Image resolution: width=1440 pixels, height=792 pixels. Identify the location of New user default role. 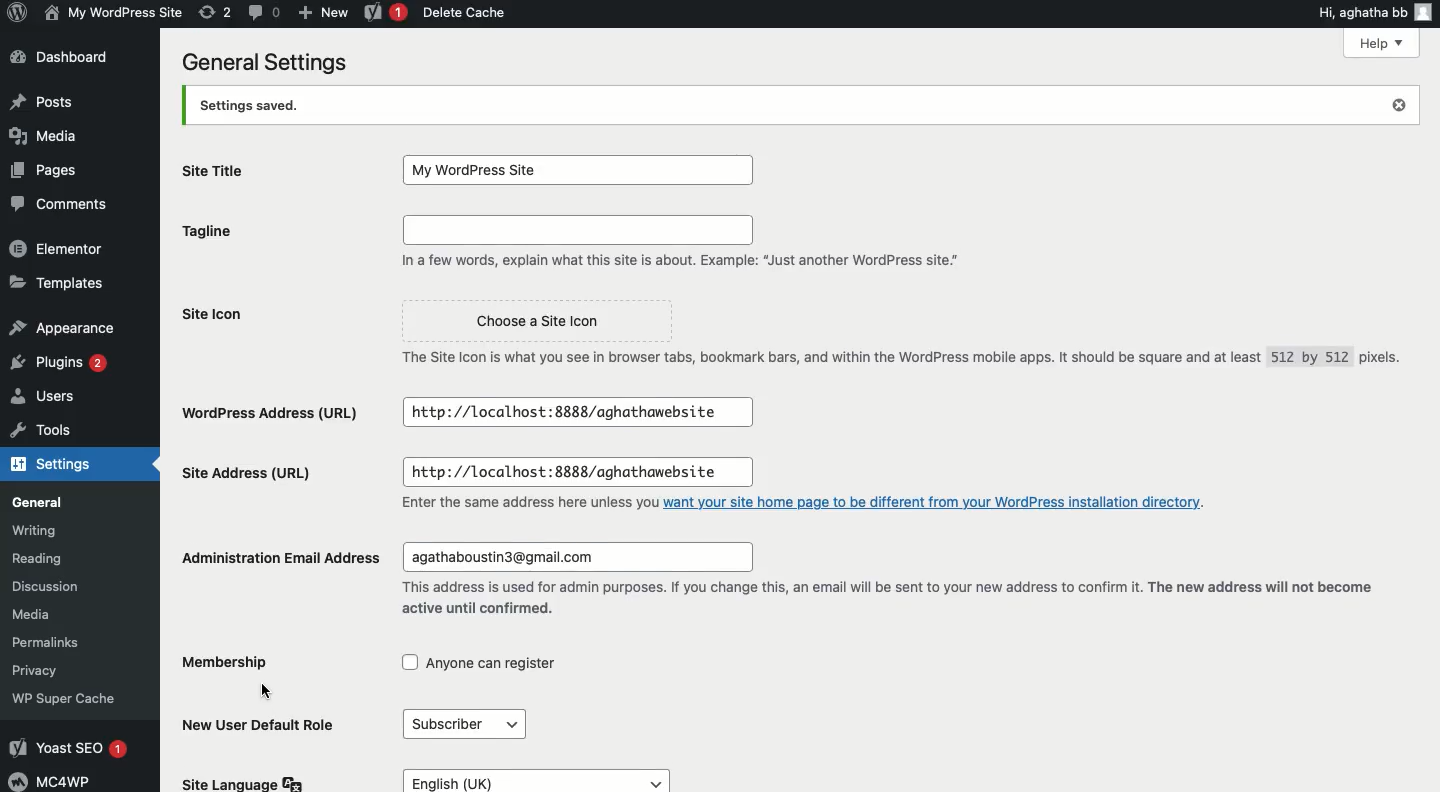
(258, 725).